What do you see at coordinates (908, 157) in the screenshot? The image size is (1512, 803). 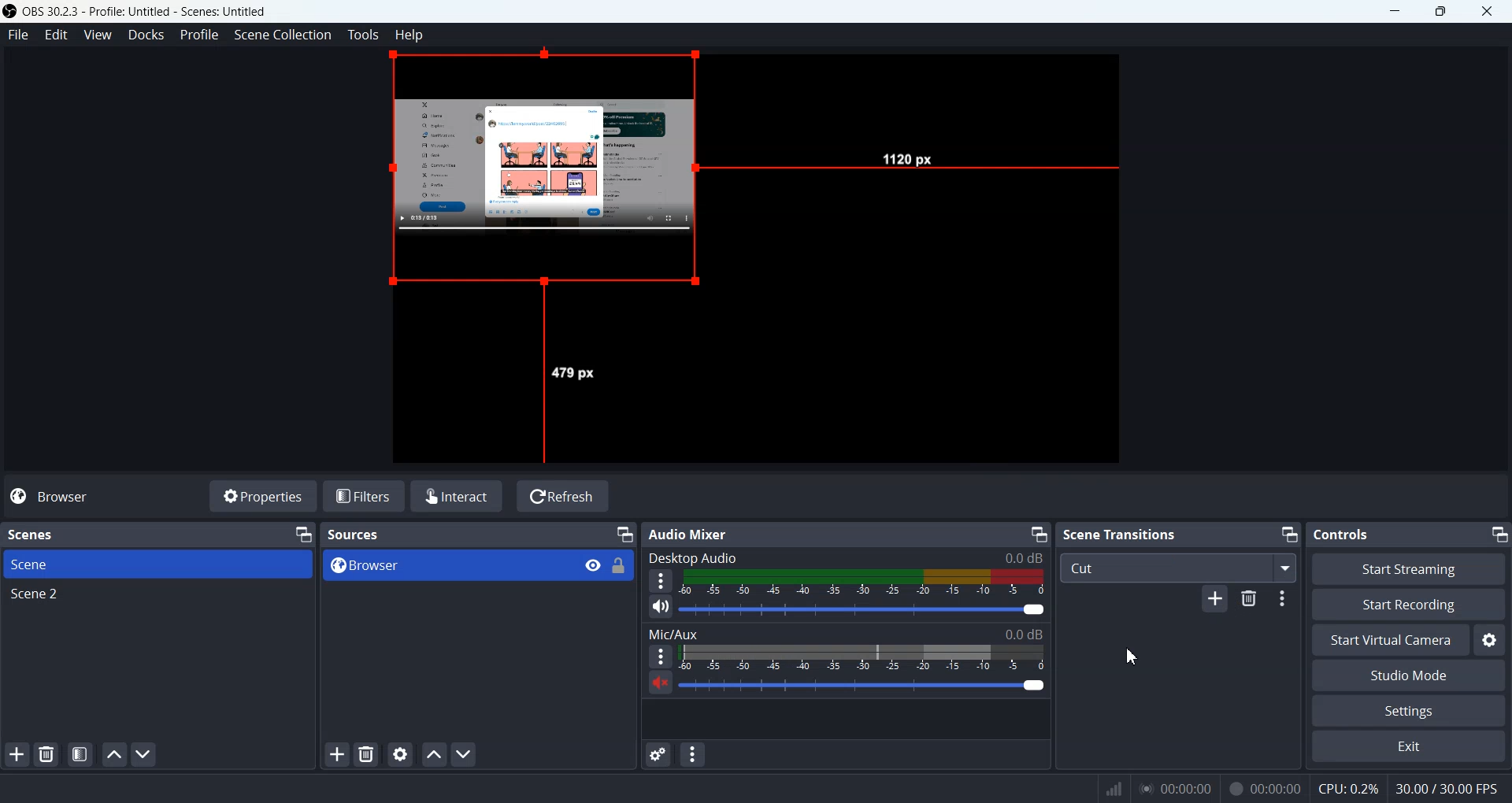 I see `` at bounding box center [908, 157].